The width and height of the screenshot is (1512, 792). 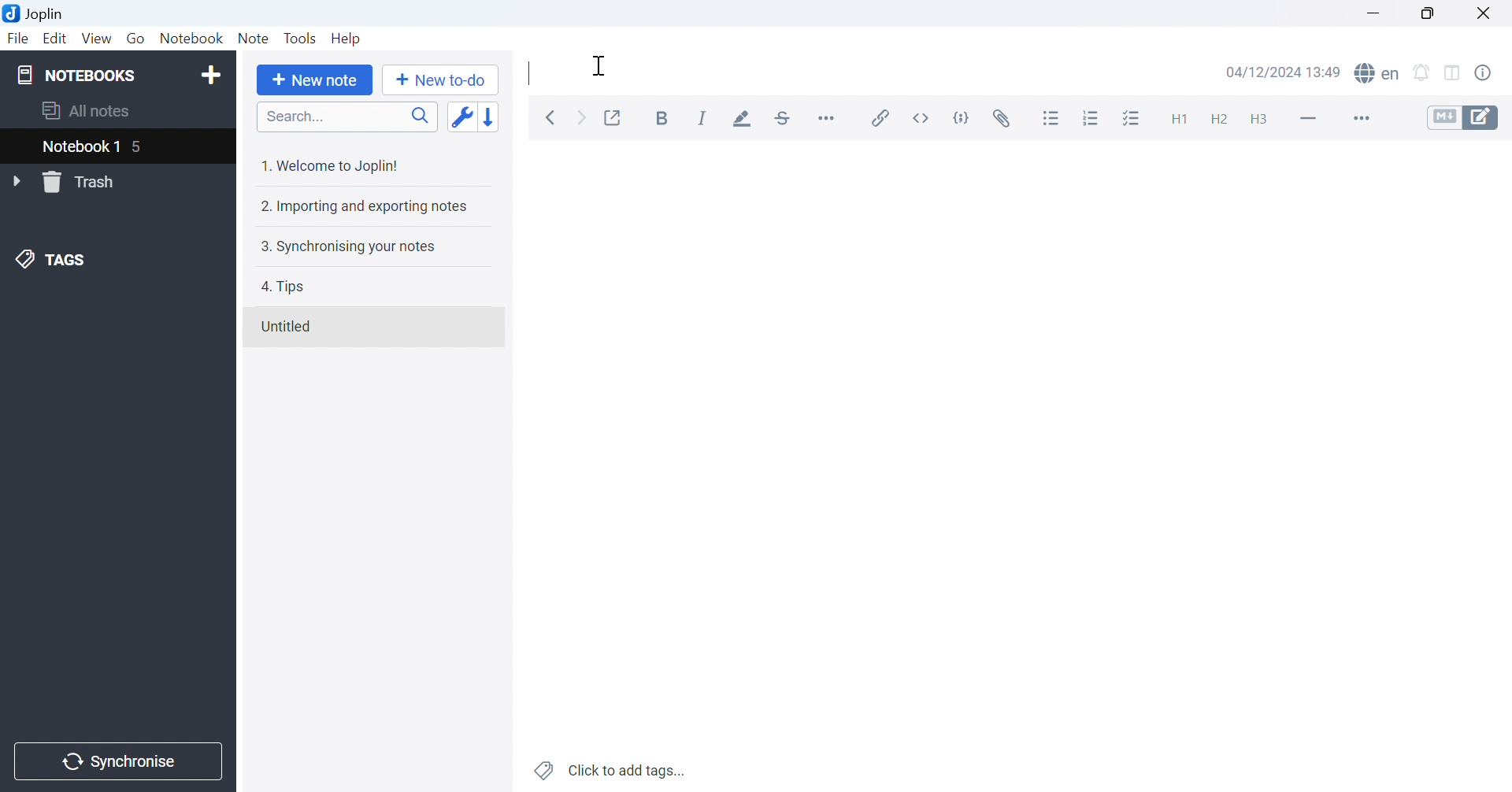 What do you see at coordinates (36, 13) in the screenshot?
I see `Joplin` at bounding box center [36, 13].